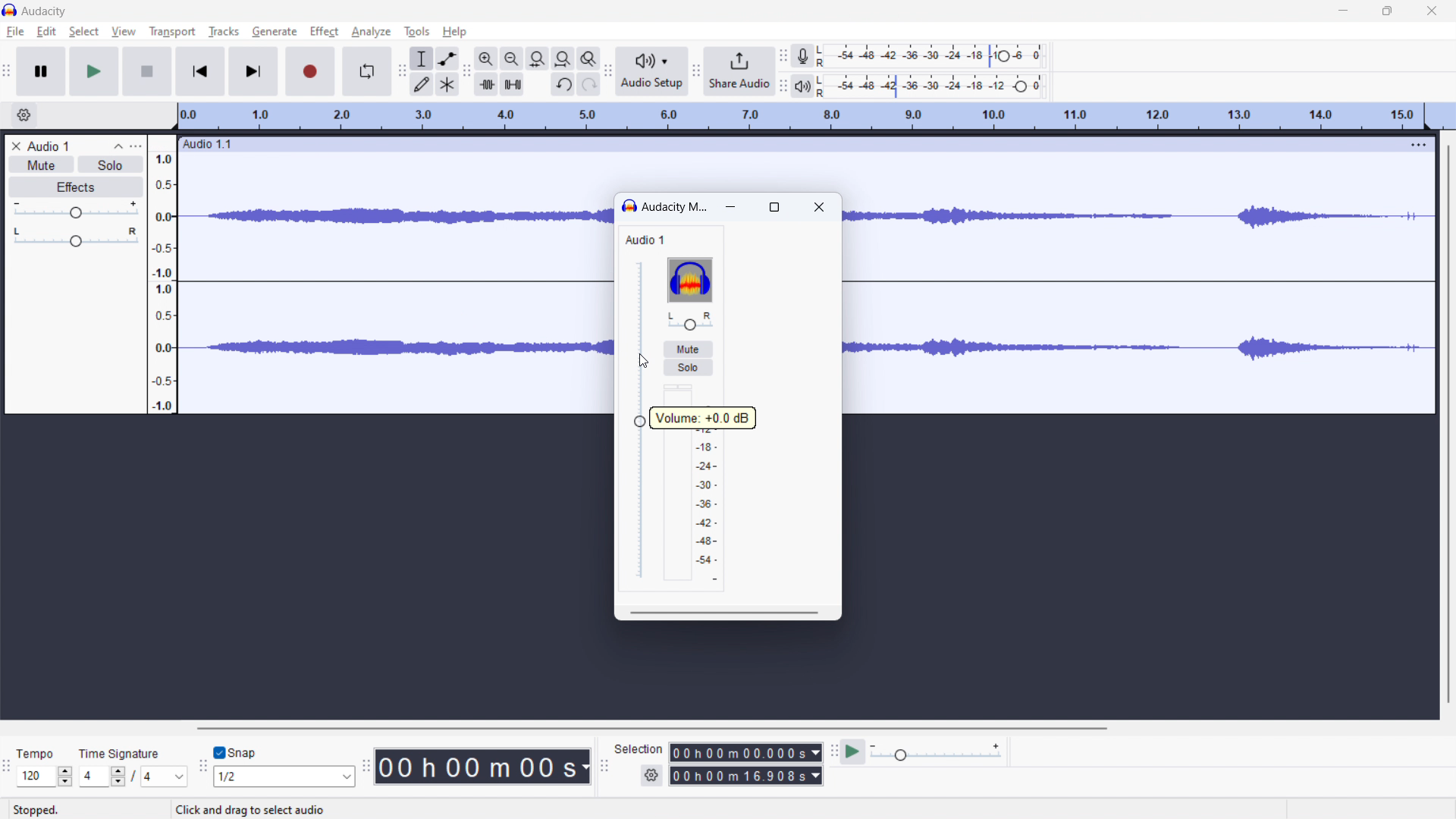 The image size is (1456, 819). I want to click on skip to start, so click(201, 71).